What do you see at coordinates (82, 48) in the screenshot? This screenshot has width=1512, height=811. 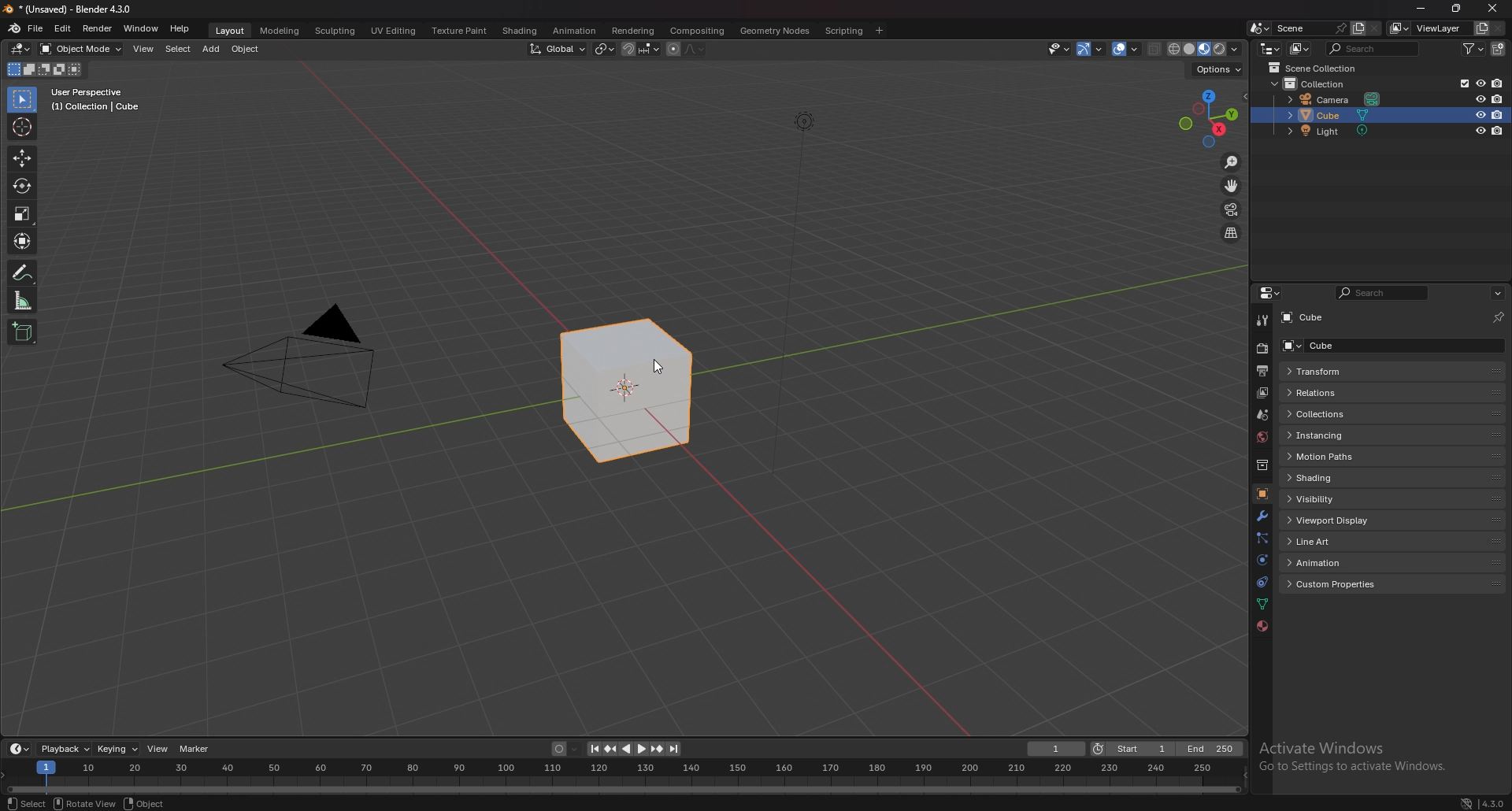 I see `object mode` at bounding box center [82, 48].